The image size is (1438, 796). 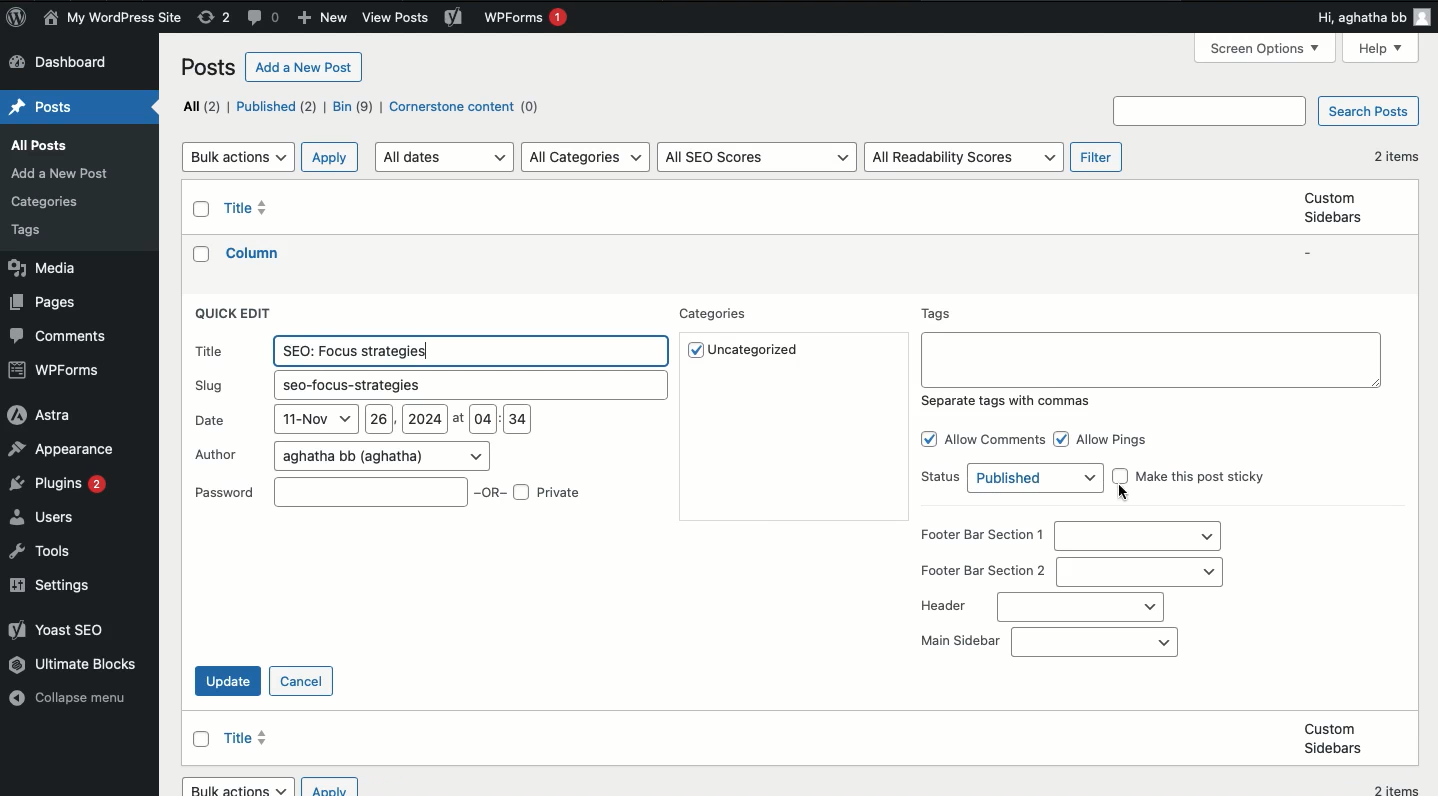 I want to click on OR, so click(x=492, y=494).